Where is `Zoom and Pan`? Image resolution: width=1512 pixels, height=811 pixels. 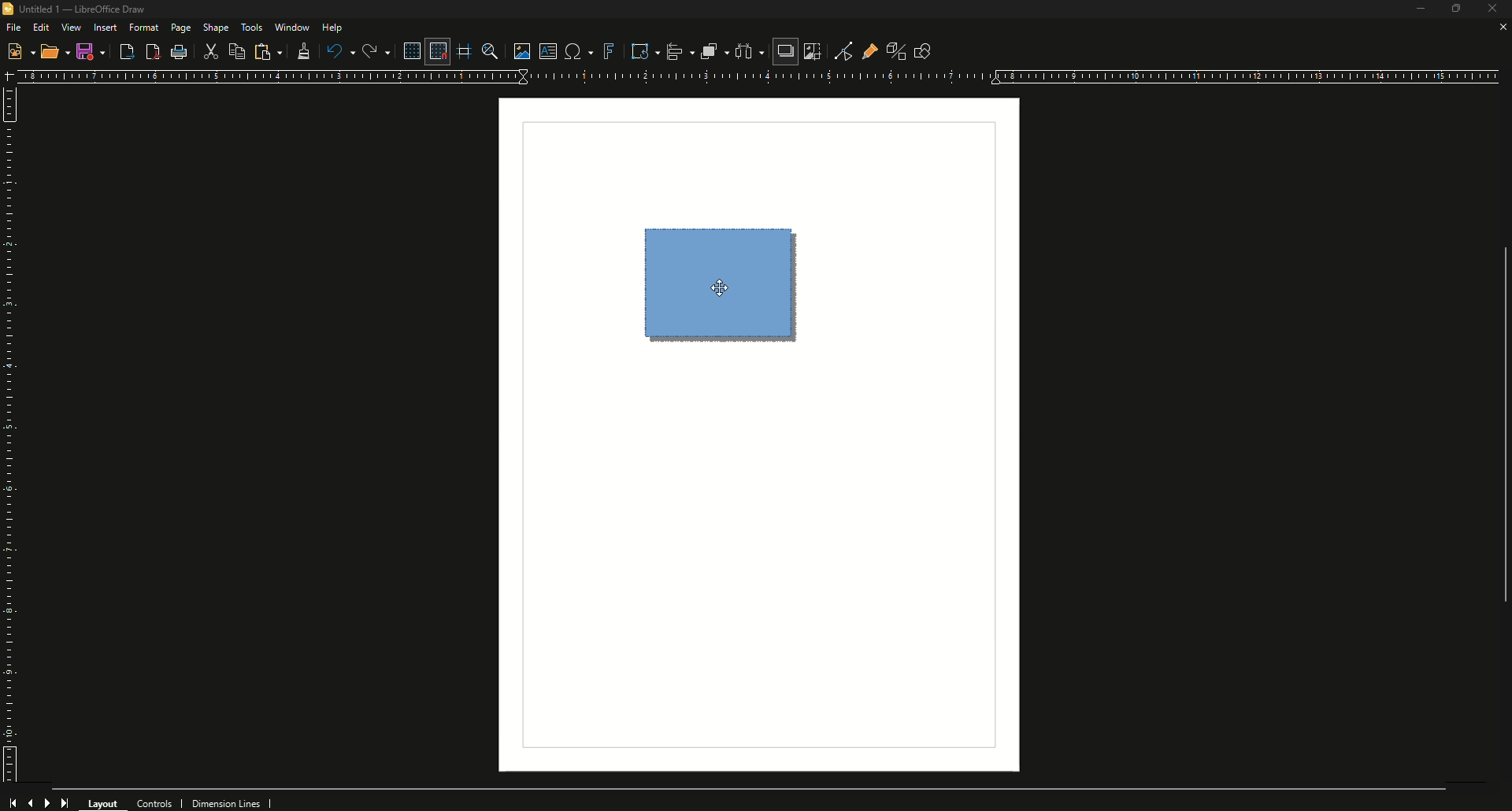 Zoom and Pan is located at coordinates (488, 50).